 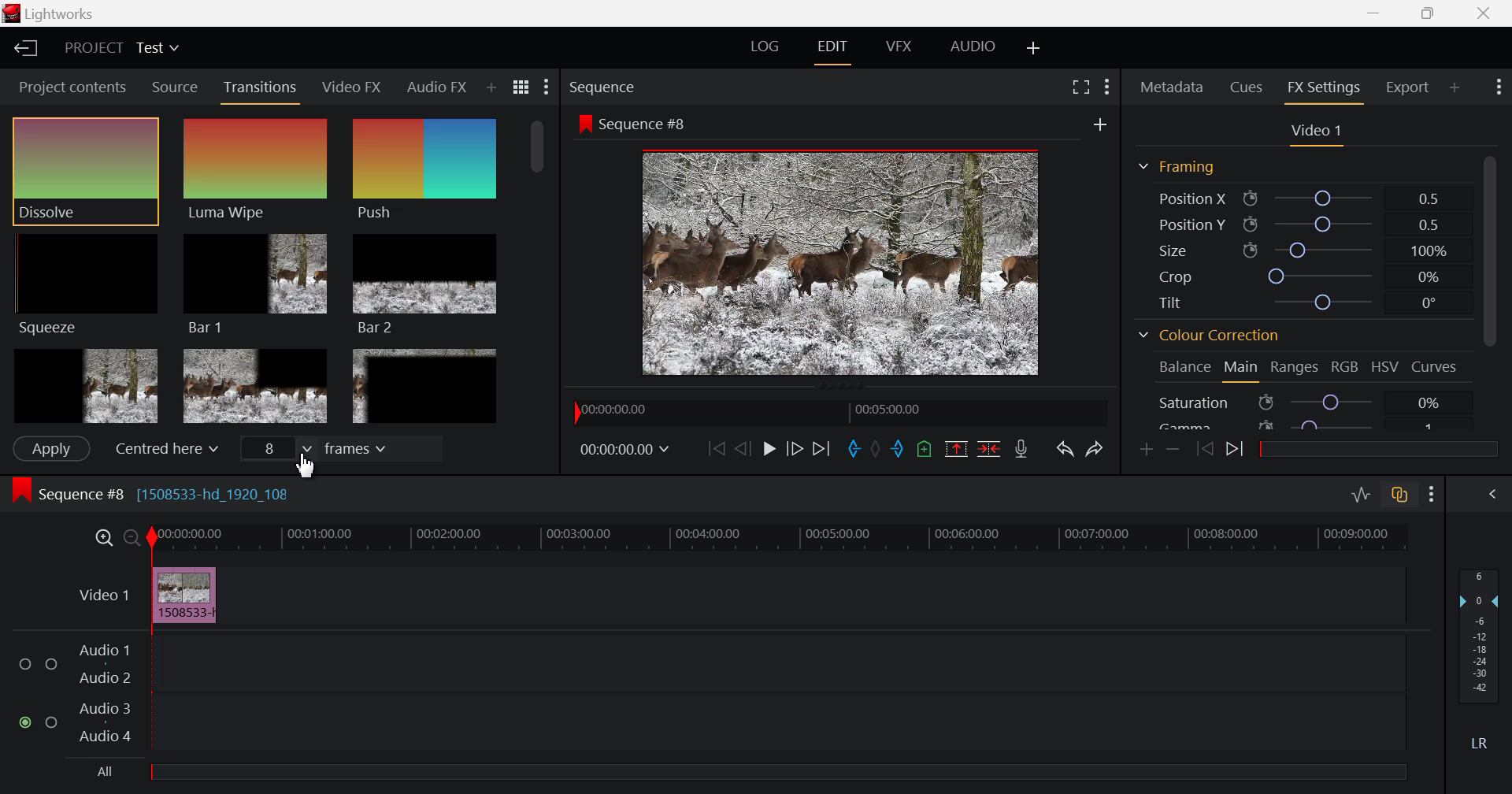 What do you see at coordinates (24, 49) in the screenshot?
I see `Back to Homepage` at bounding box center [24, 49].